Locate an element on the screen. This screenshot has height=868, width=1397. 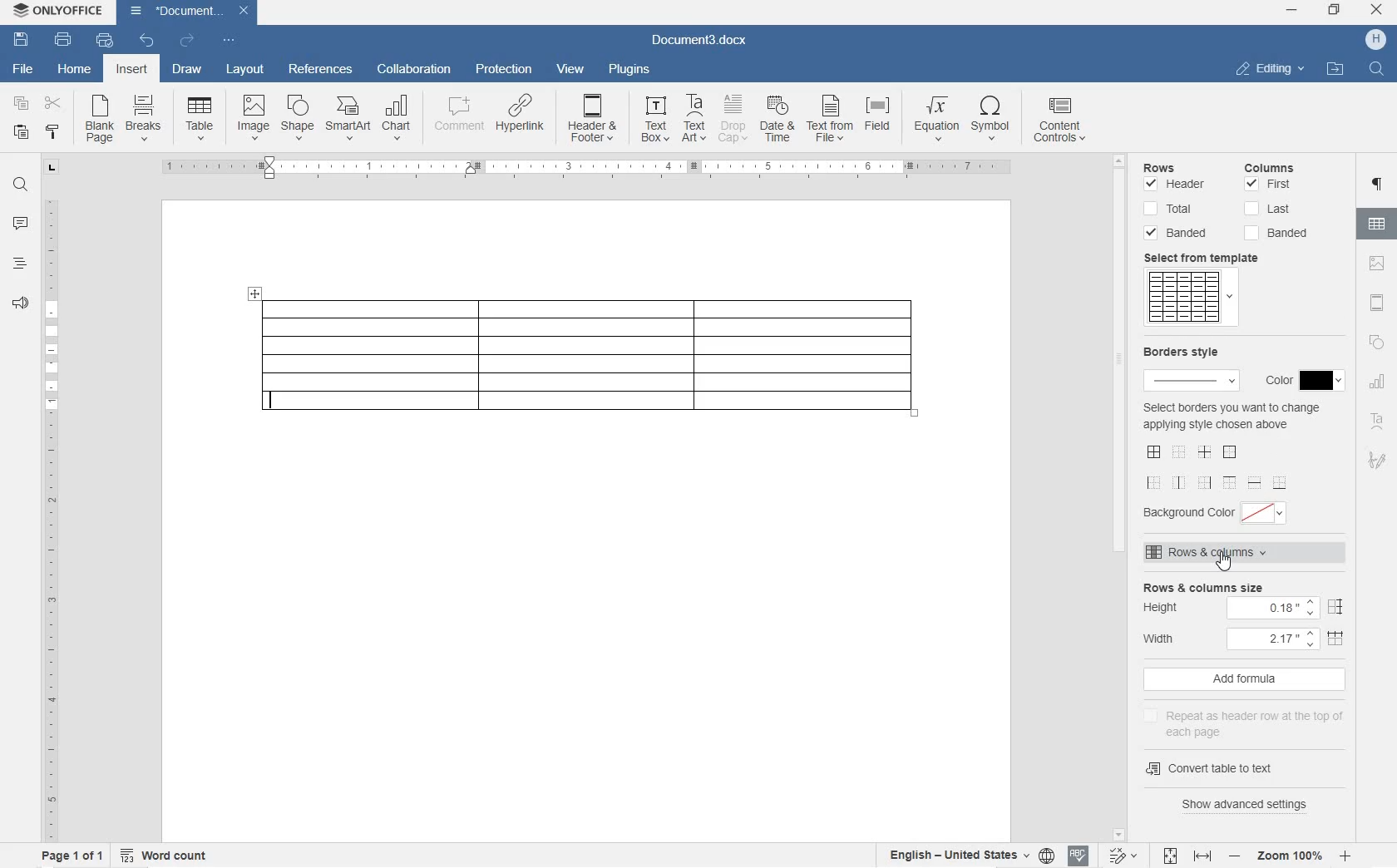
SHAPE is located at coordinates (1377, 342).